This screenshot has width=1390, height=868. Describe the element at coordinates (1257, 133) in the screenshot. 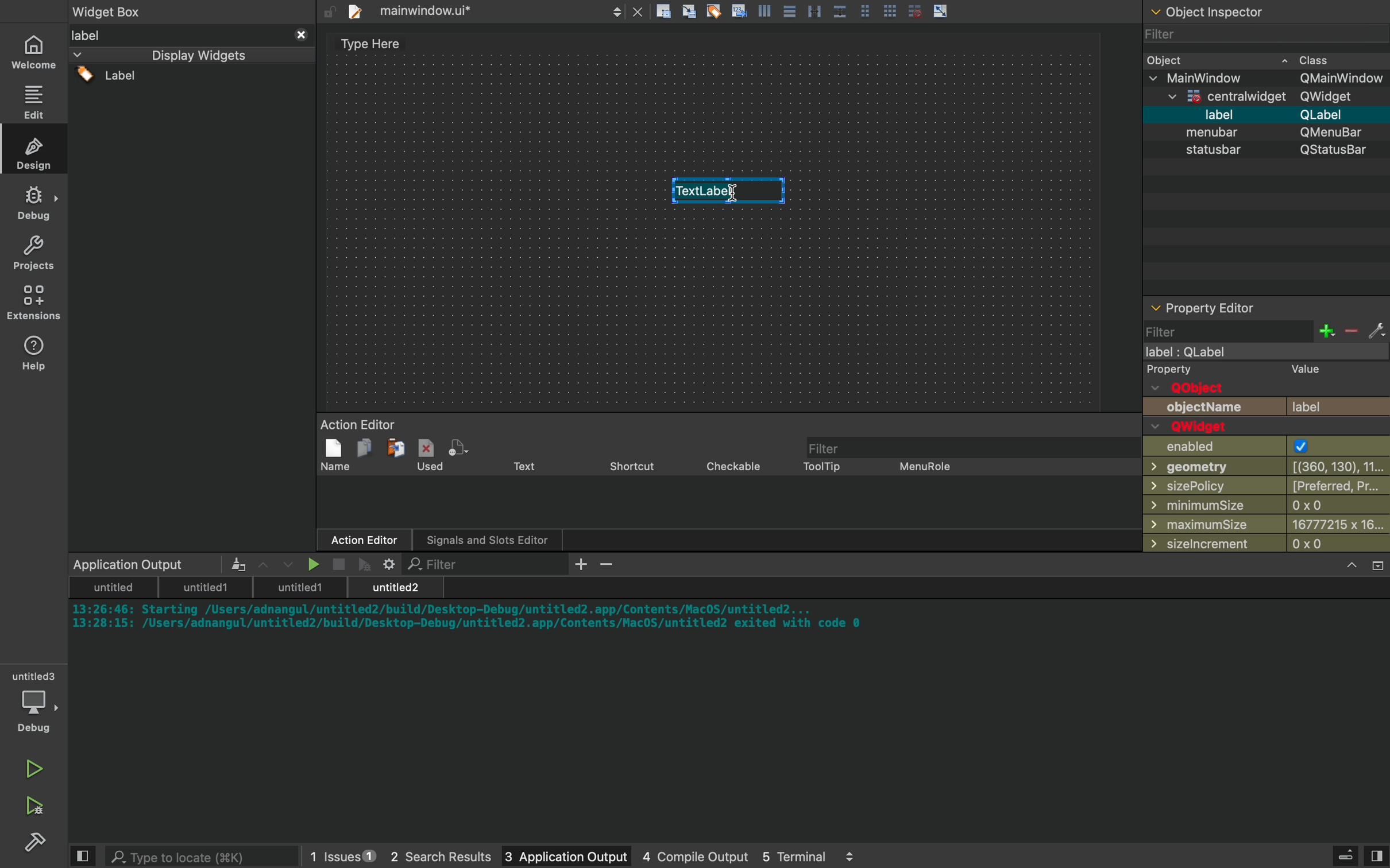

I see `` at that location.